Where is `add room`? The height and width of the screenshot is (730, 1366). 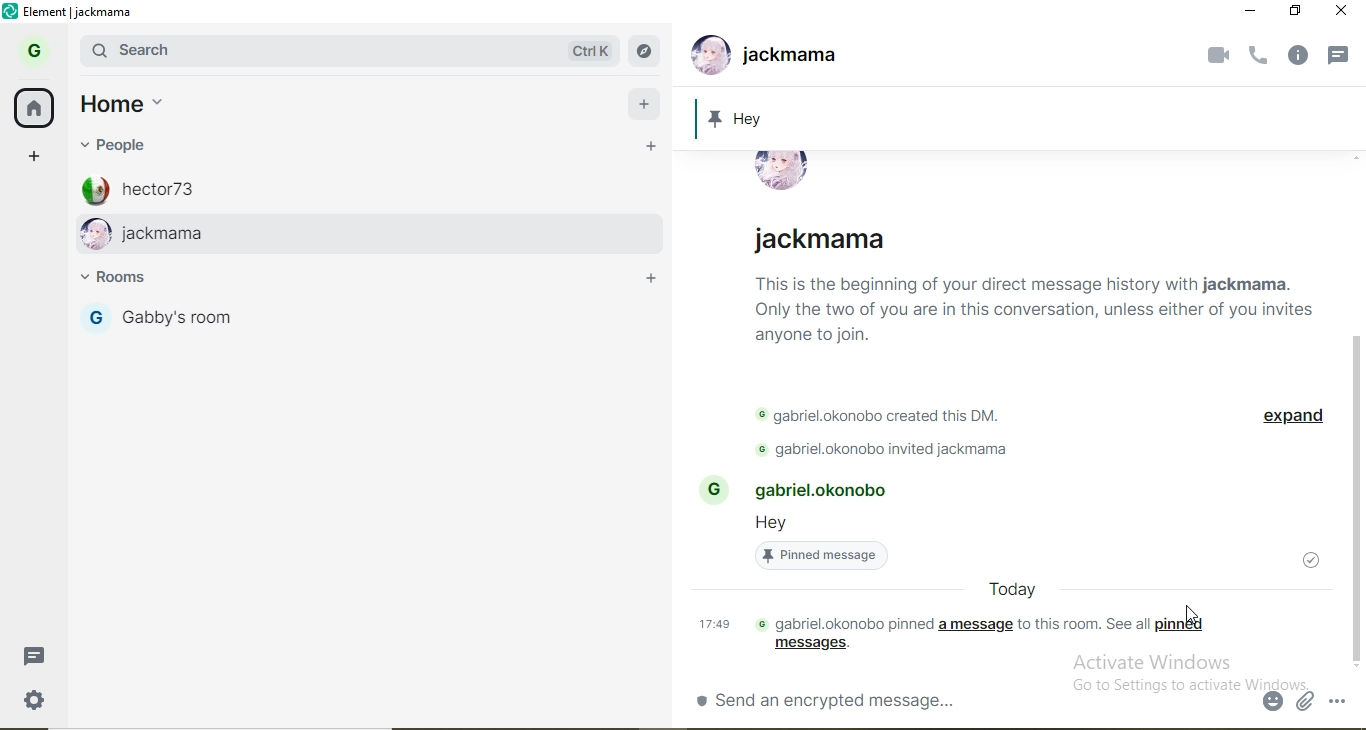
add room is located at coordinates (649, 275).